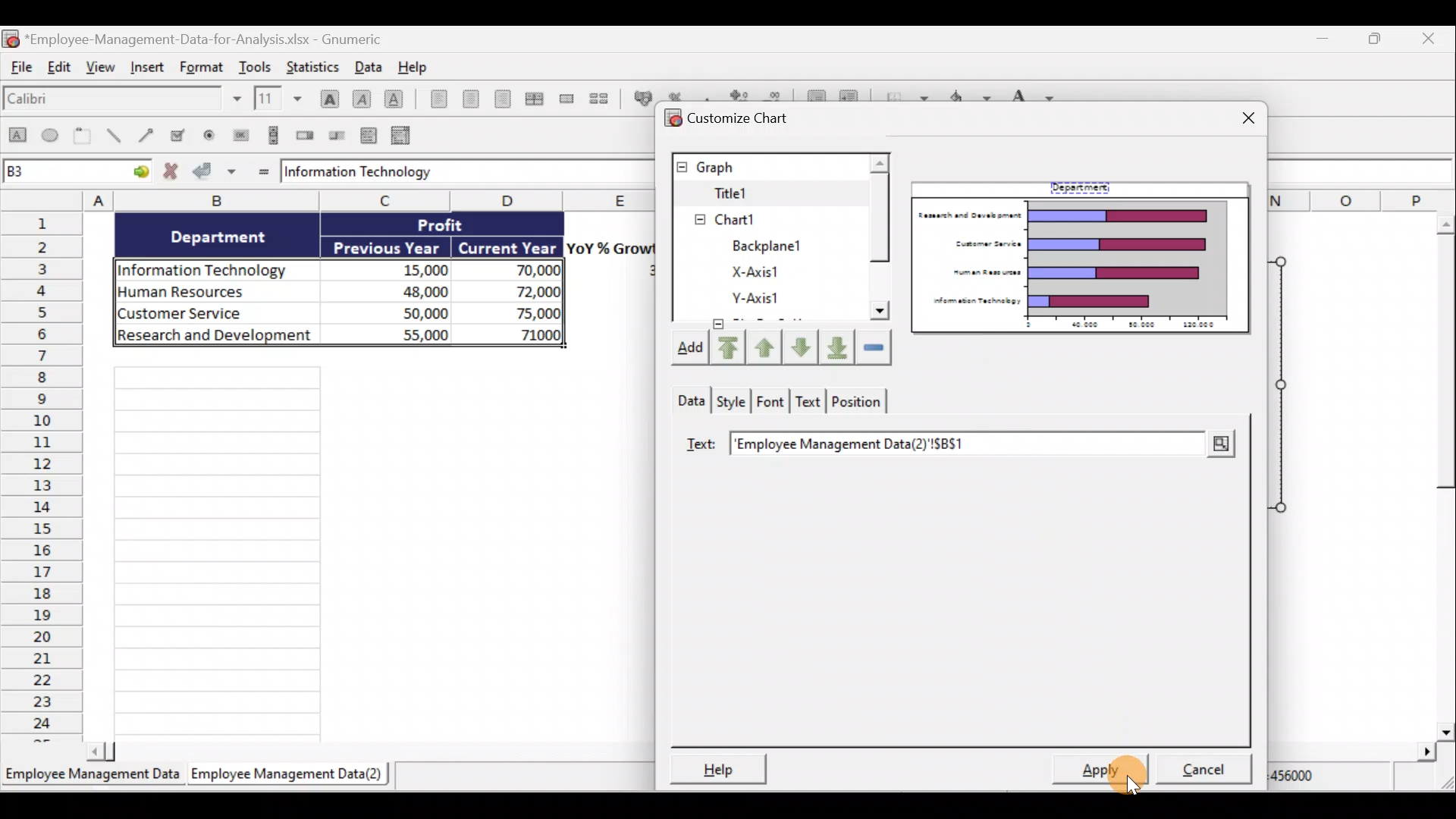  Describe the element at coordinates (605, 100) in the screenshot. I see `Split a merged range of cells` at that location.